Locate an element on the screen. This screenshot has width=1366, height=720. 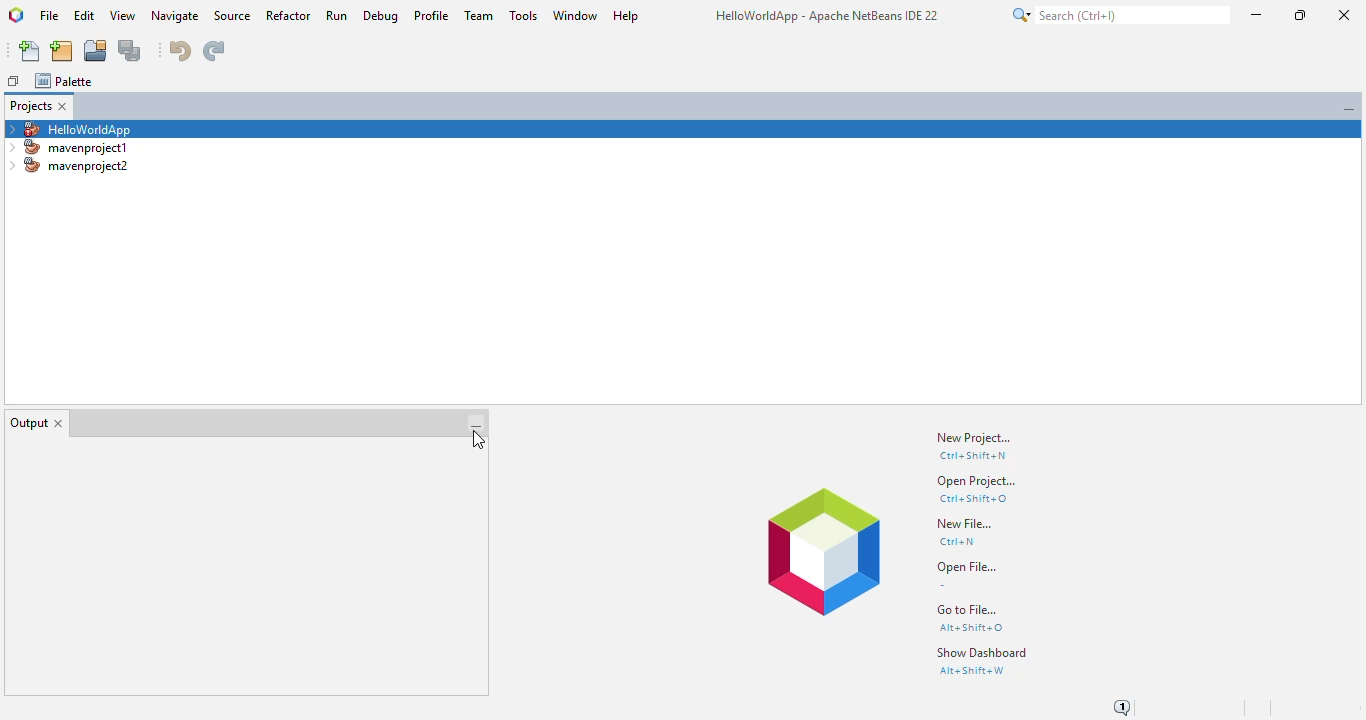
save all is located at coordinates (131, 51).